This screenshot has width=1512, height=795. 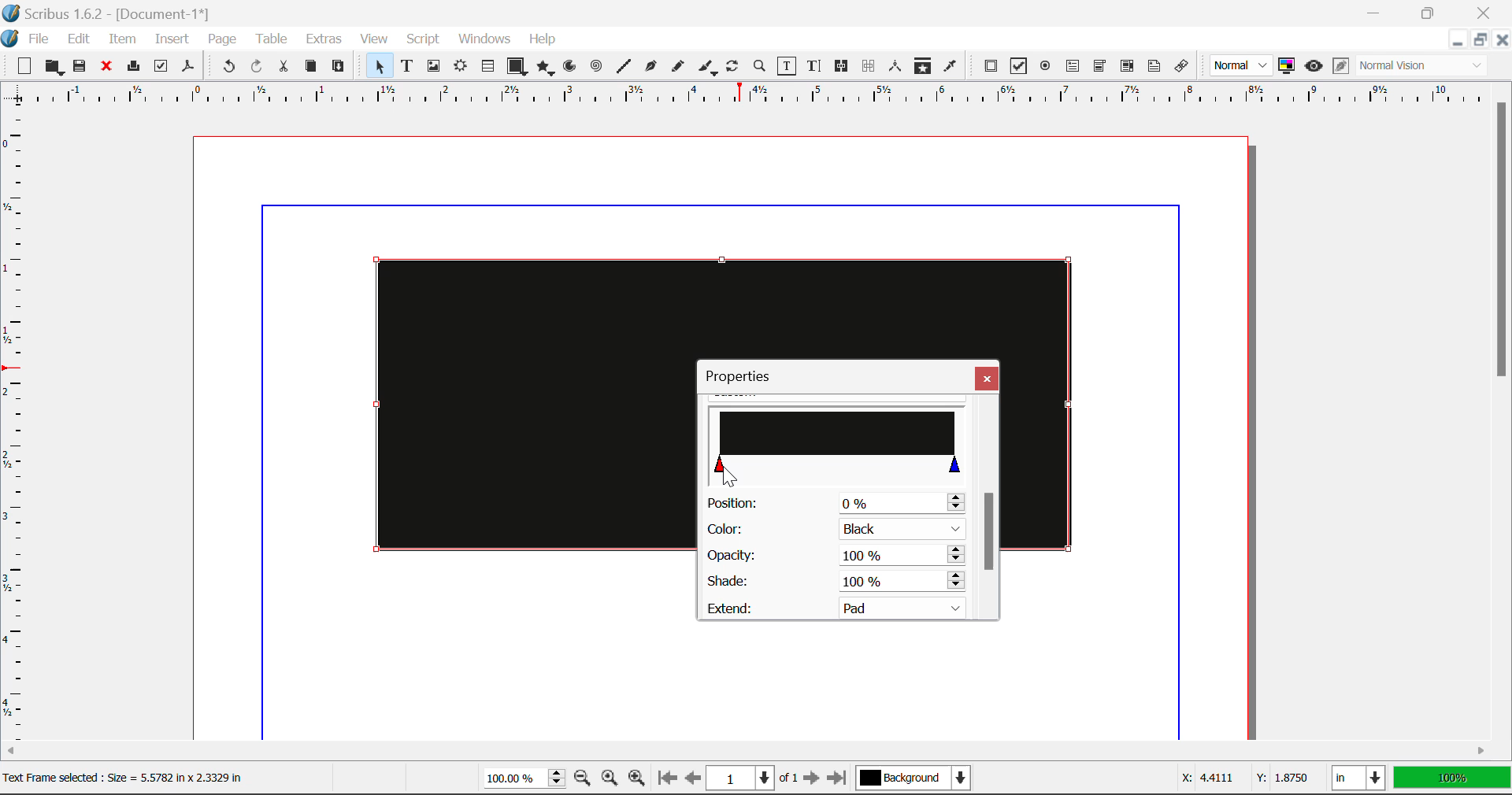 I want to click on Item, so click(x=123, y=41).